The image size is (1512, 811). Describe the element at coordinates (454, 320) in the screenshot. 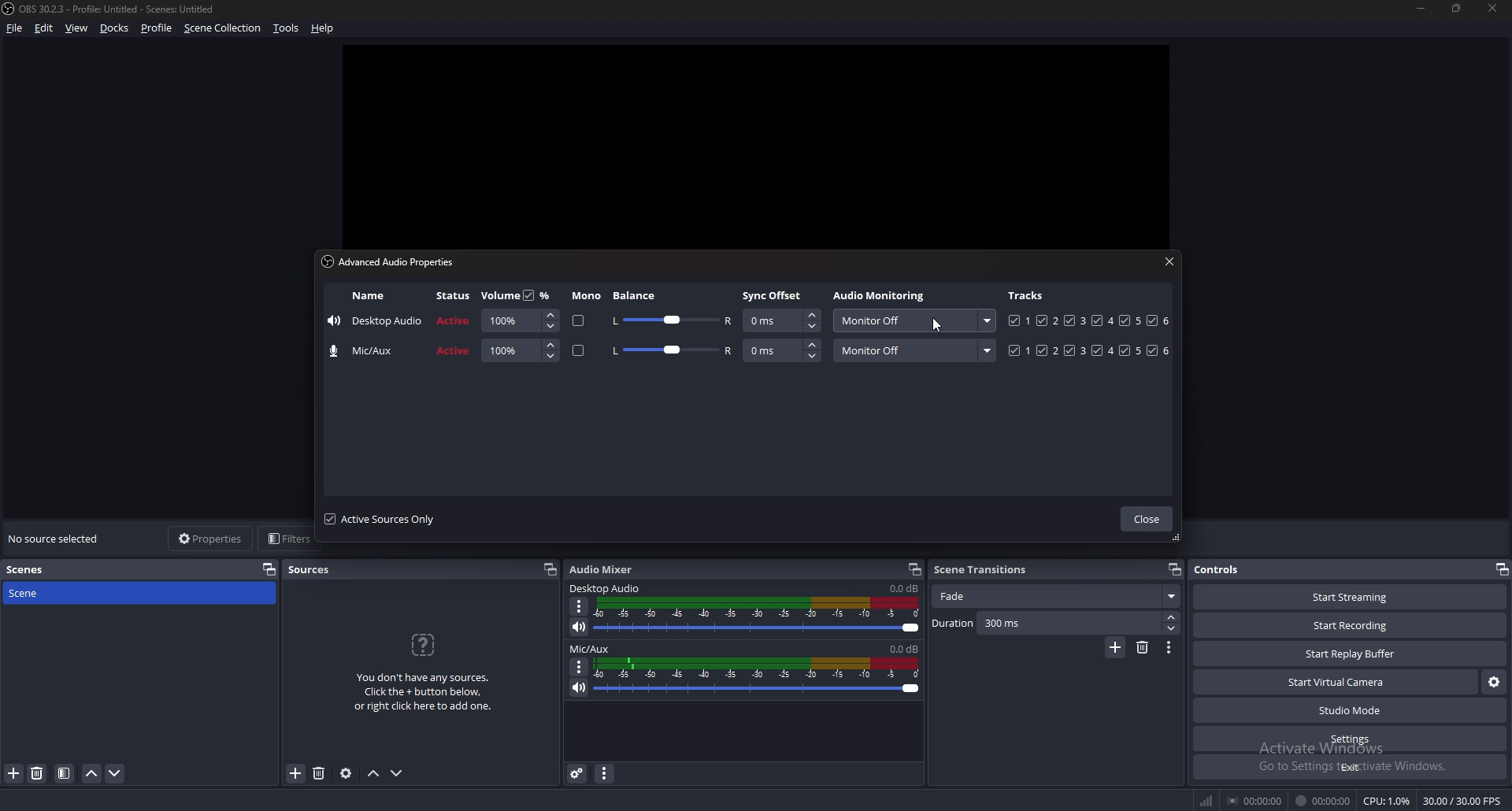

I see `status` at that location.